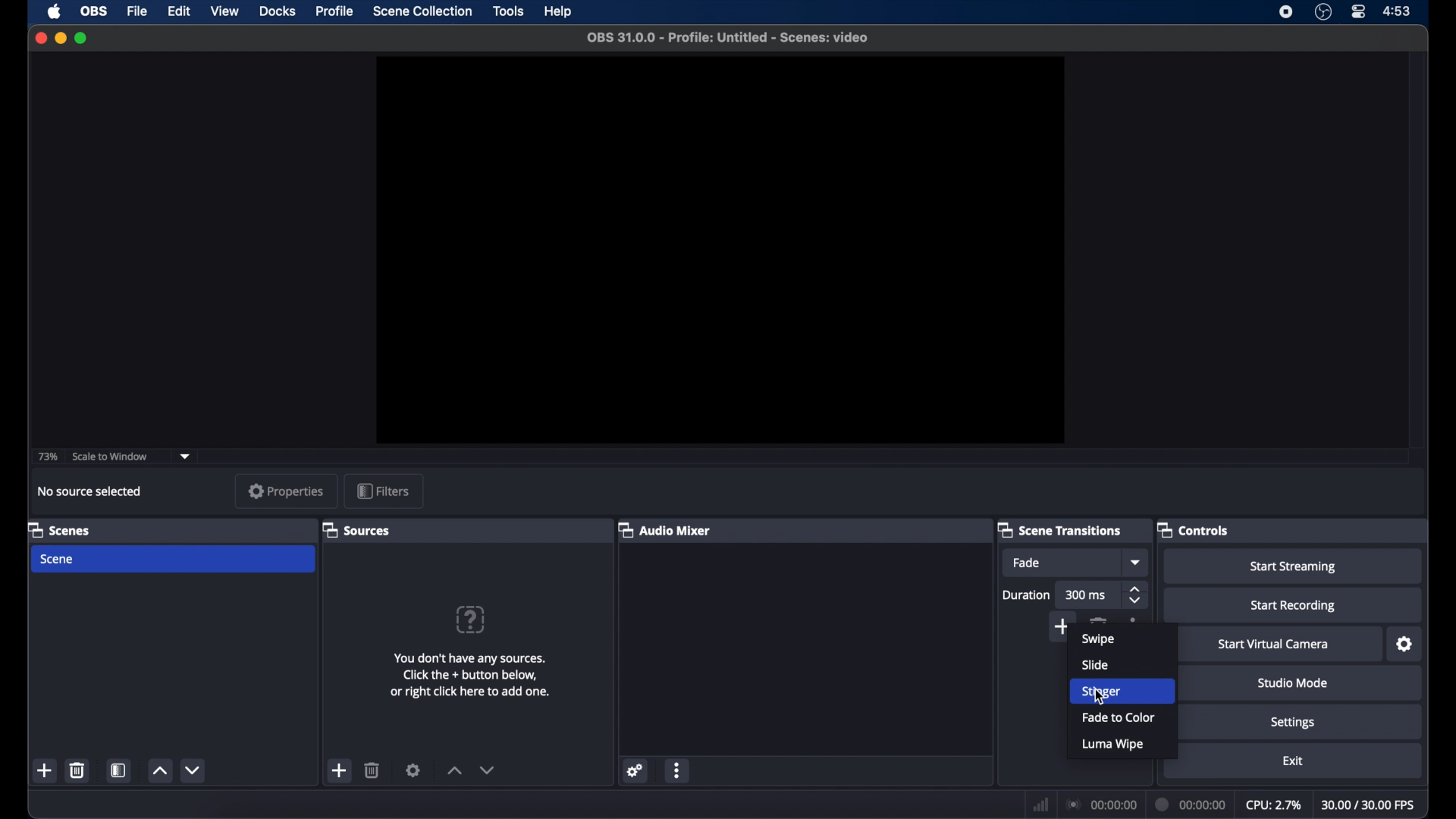 The height and width of the screenshot is (819, 1456). Describe the element at coordinates (1398, 10) in the screenshot. I see `time` at that location.